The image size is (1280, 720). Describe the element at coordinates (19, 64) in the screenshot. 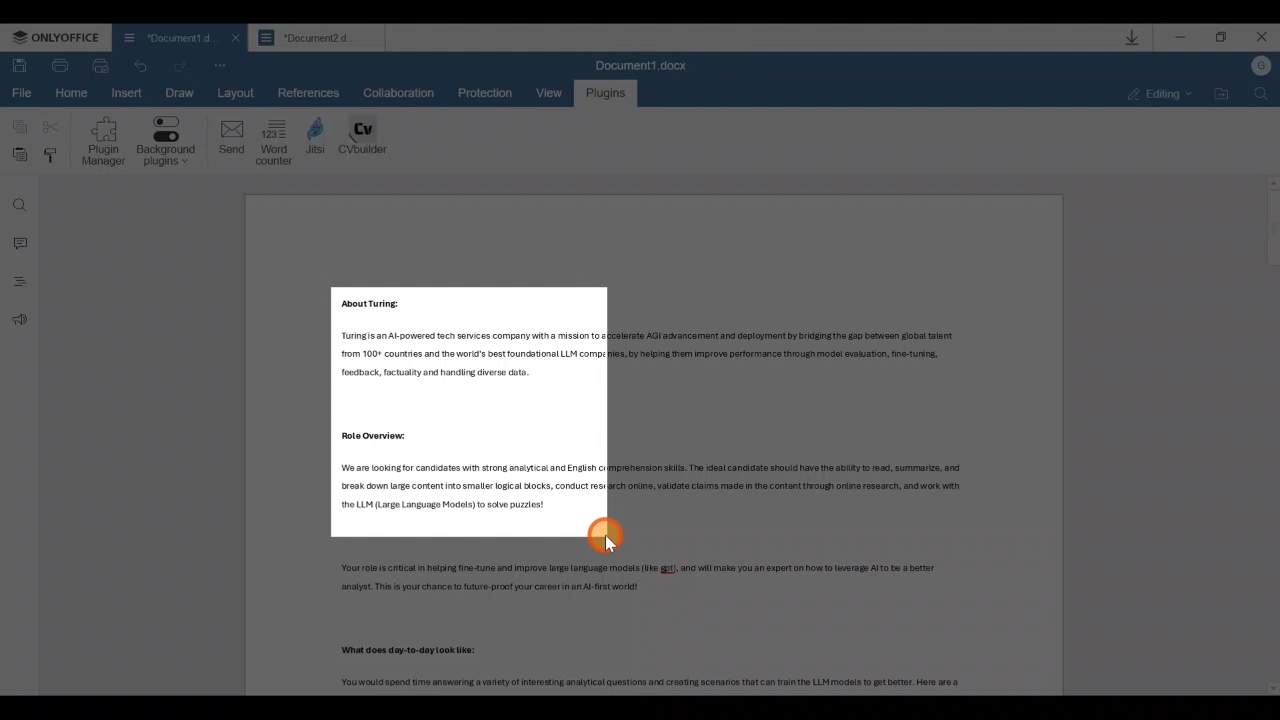

I see `Save` at that location.